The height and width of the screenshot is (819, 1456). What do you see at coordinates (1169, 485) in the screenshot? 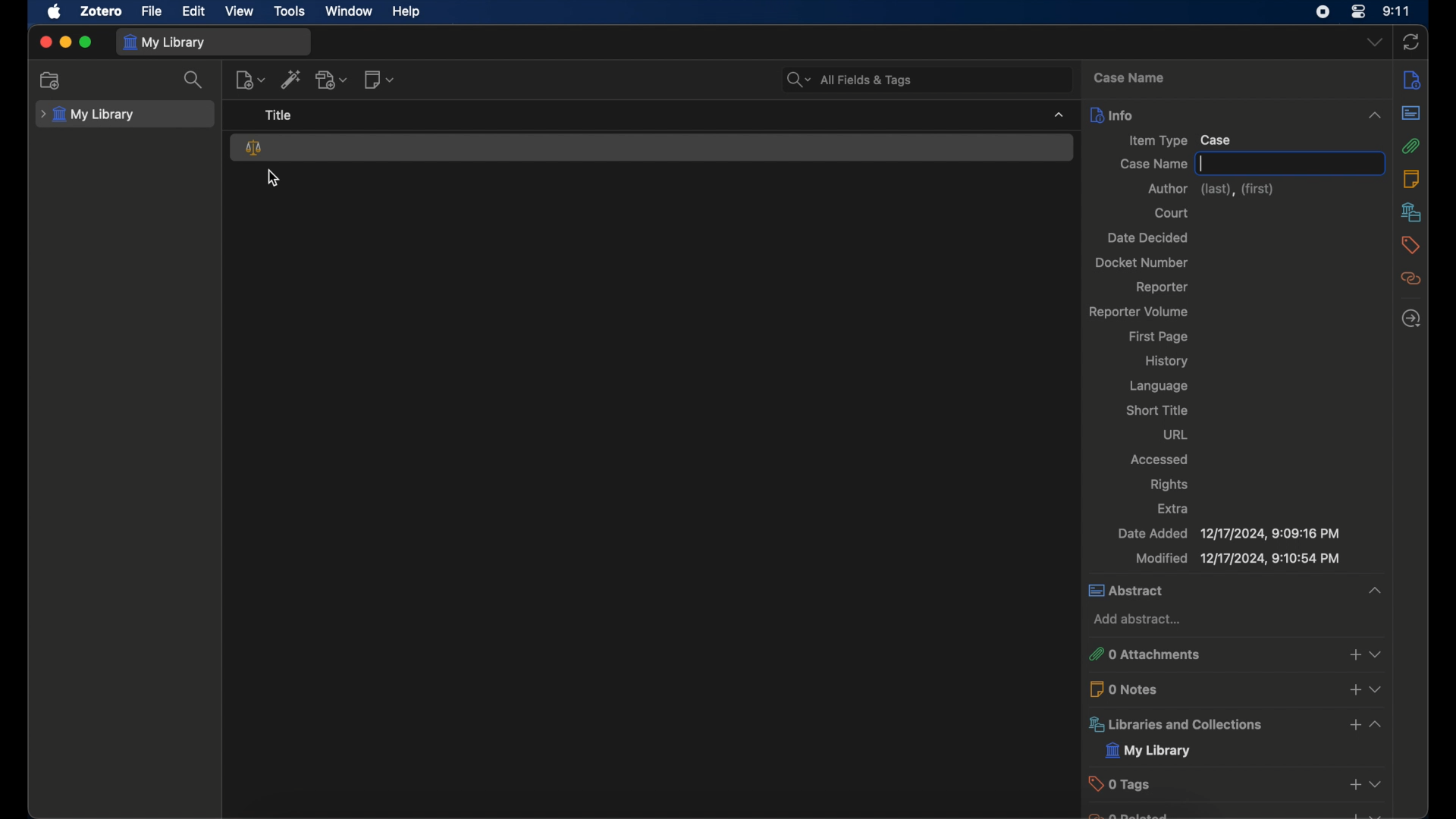
I see `rights` at bounding box center [1169, 485].